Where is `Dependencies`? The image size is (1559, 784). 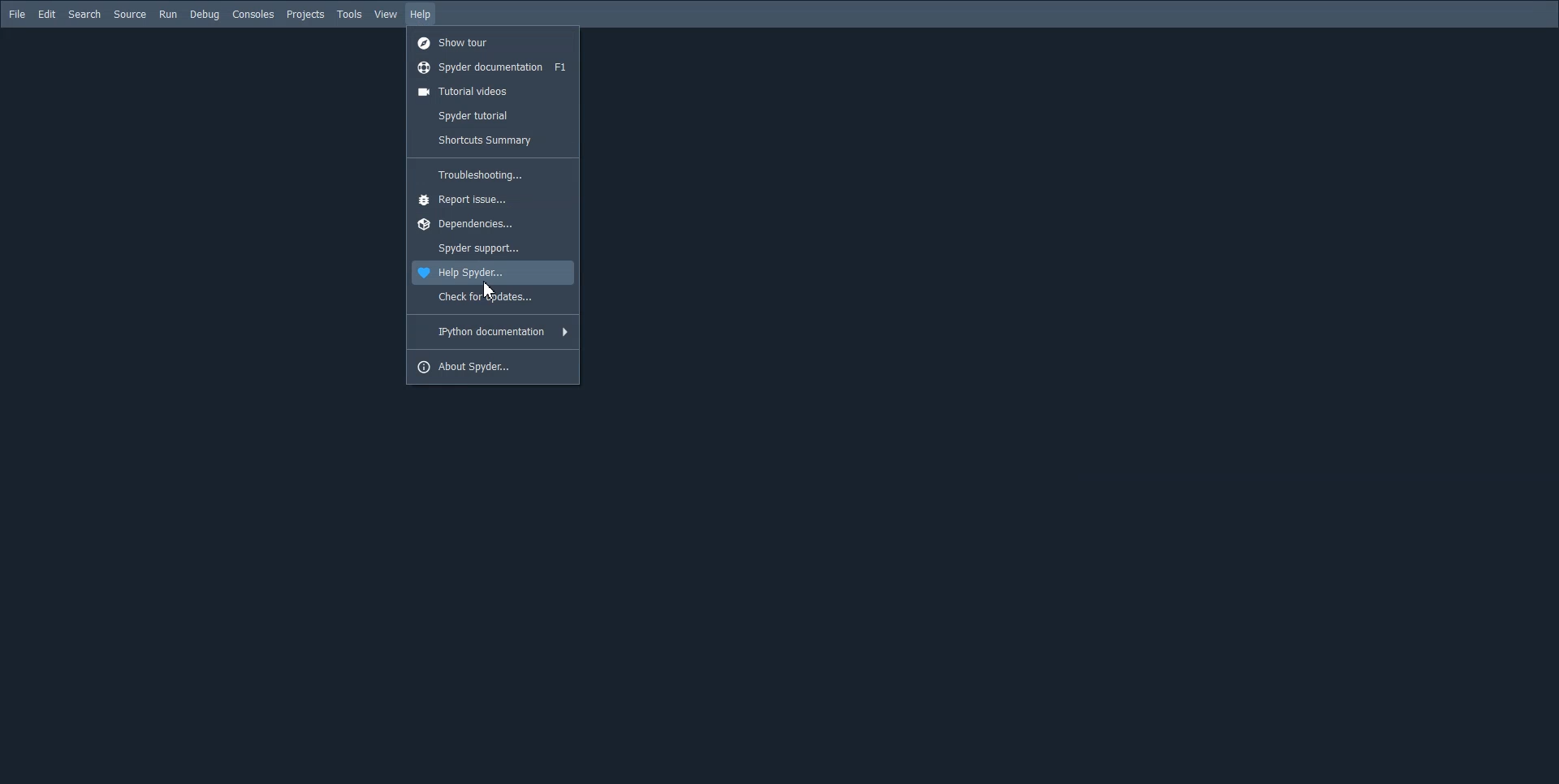 Dependencies is located at coordinates (490, 224).